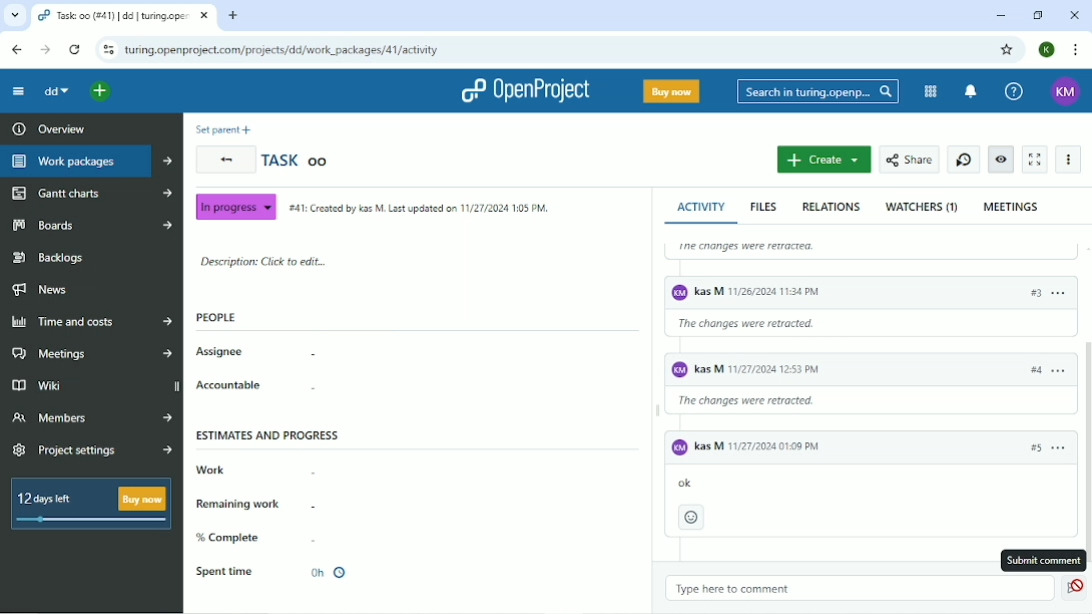 The image size is (1092, 614). Describe the element at coordinates (283, 572) in the screenshot. I see `Spent time 0h` at that location.